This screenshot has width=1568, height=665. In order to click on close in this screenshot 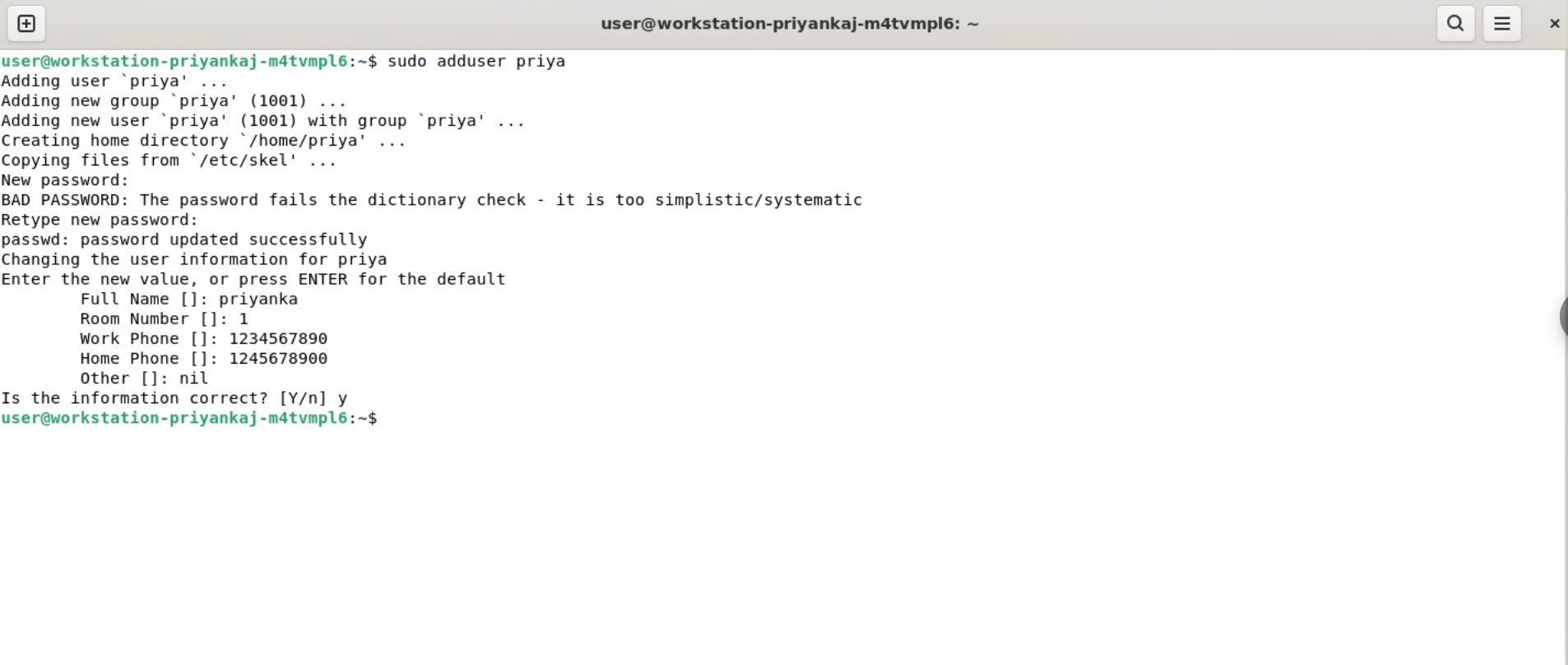, I will do `click(1552, 19)`.